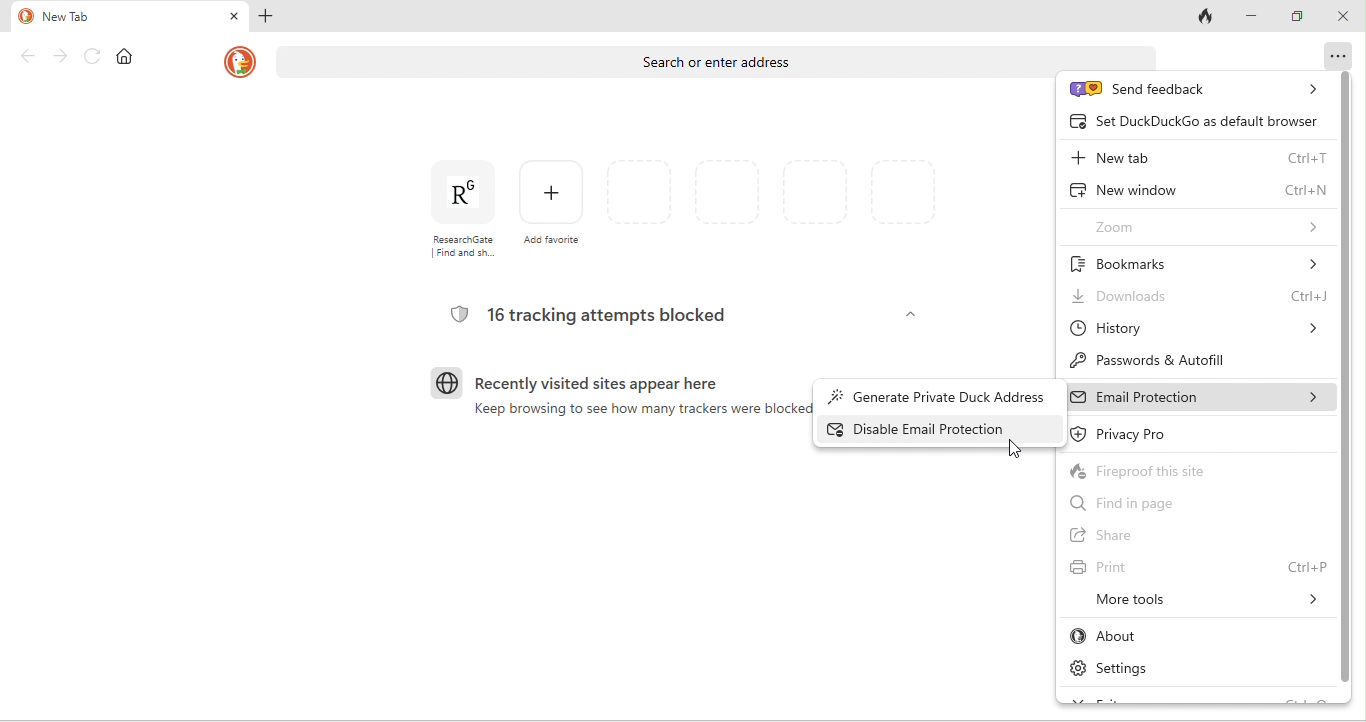 The width and height of the screenshot is (1366, 722). Describe the element at coordinates (594, 315) in the screenshot. I see `16 tracking attempts blocked` at that location.